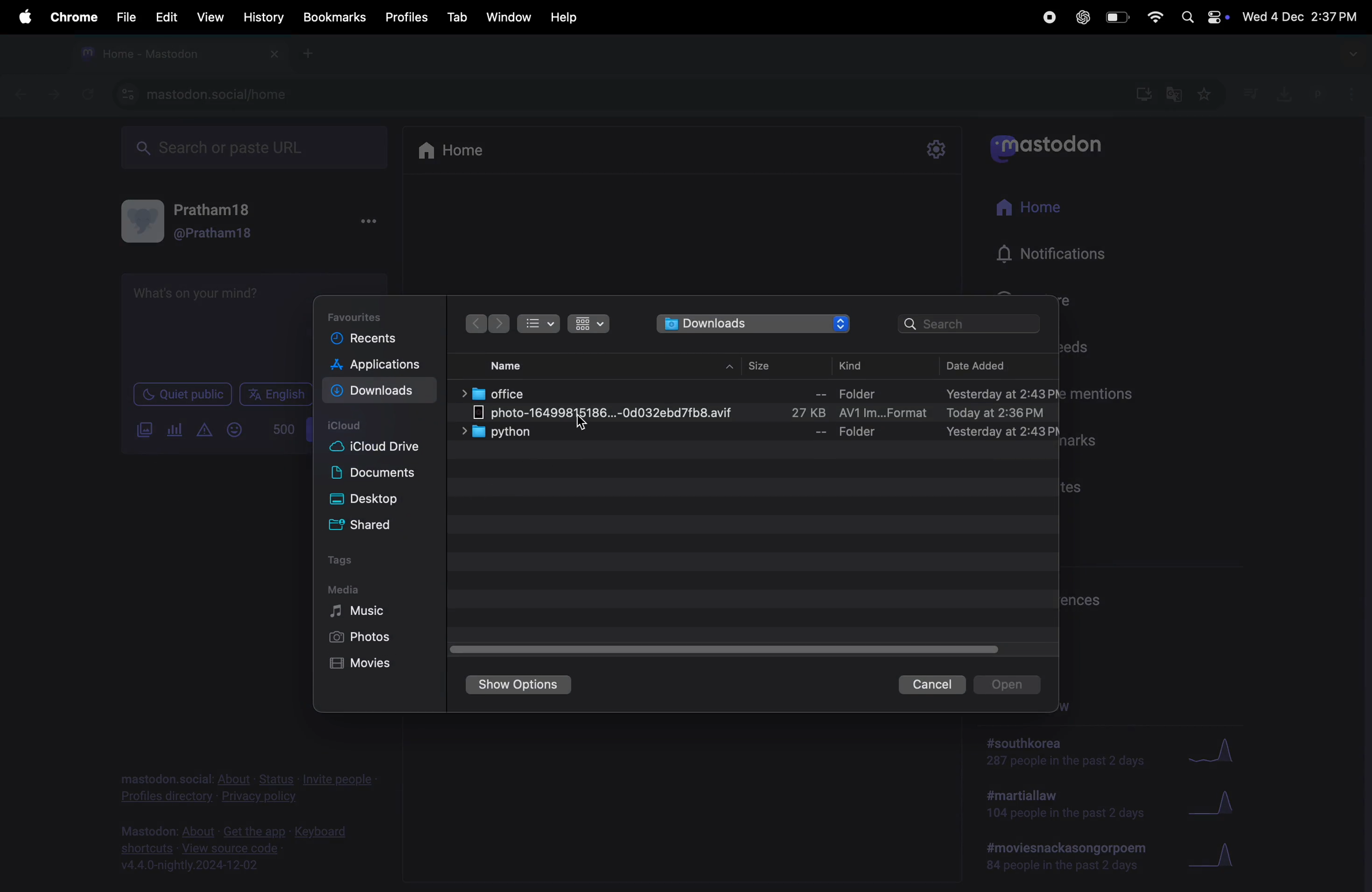 The image size is (1372, 892). What do you see at coordinates (1203, 16) in the screenshot?
I see `apple widgets` at bounding box center [1203, 16].